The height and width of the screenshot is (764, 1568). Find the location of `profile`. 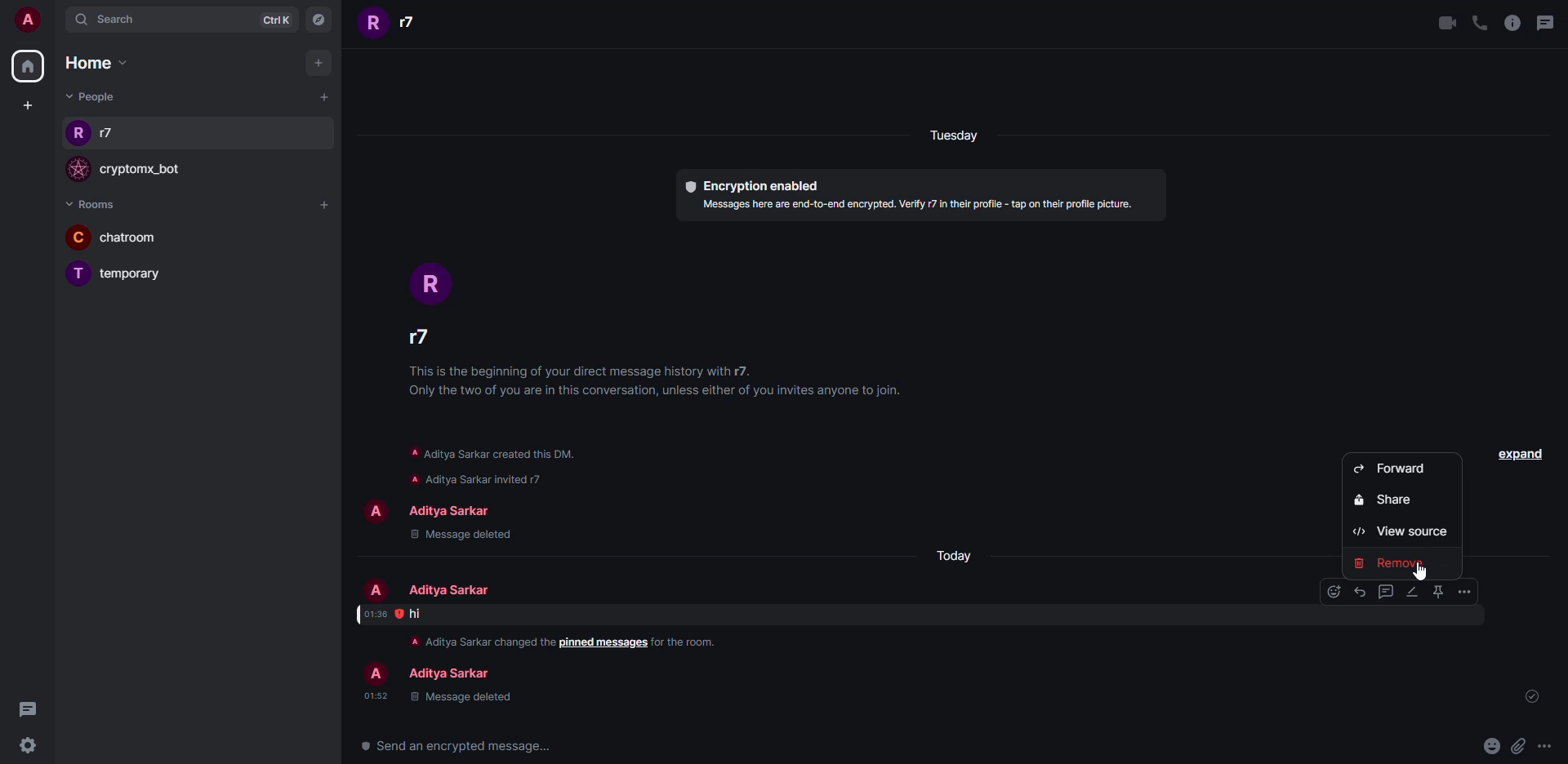

profile is located at coordinates (79, 273).